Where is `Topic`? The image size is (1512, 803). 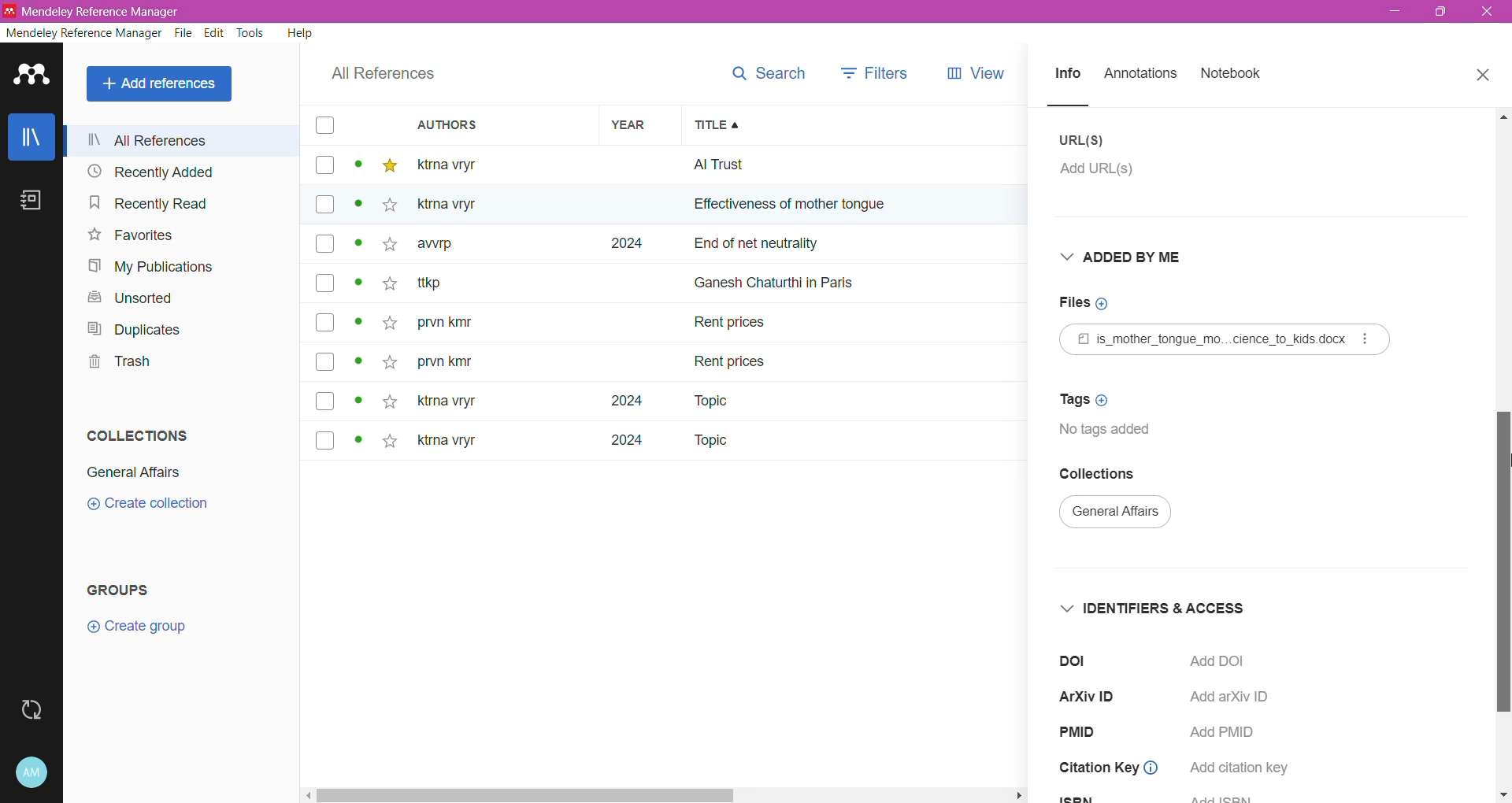 Topic is located at coordinates (709, 442).